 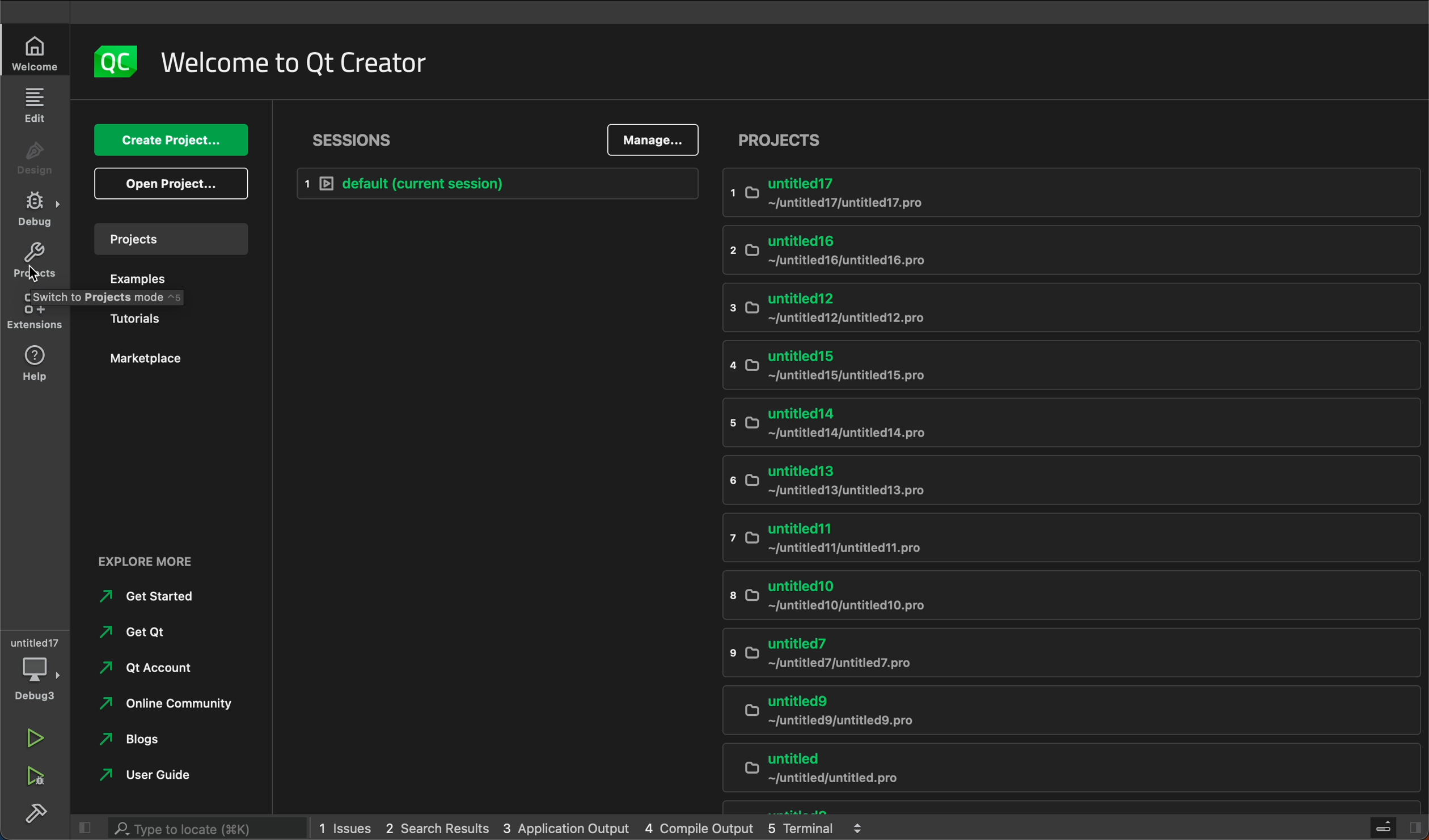 I want to click on untitled7, so click(x=1064, y=652).